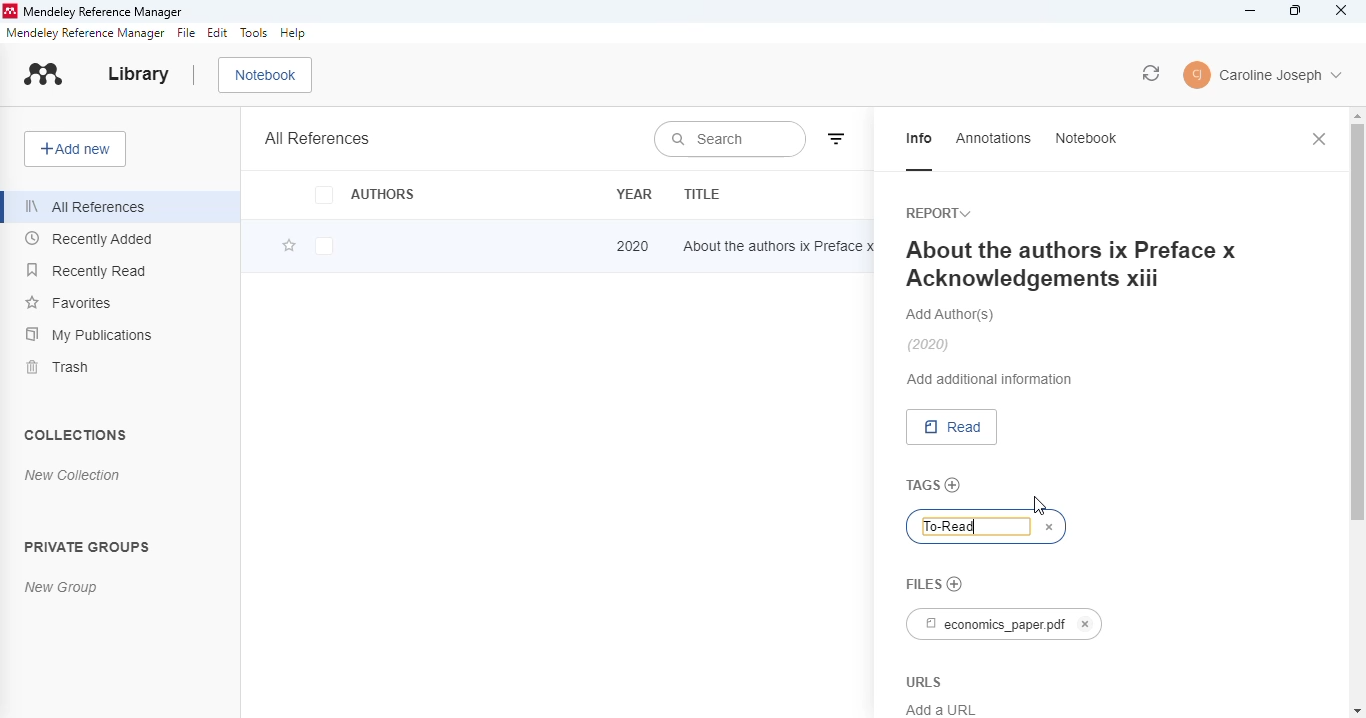 Image resolution: width=1366 pixels, height=718 pixels. What do you see at coordinates (922, 484) in the screenshot?
I see `tags` at bounding box center [922, 484].